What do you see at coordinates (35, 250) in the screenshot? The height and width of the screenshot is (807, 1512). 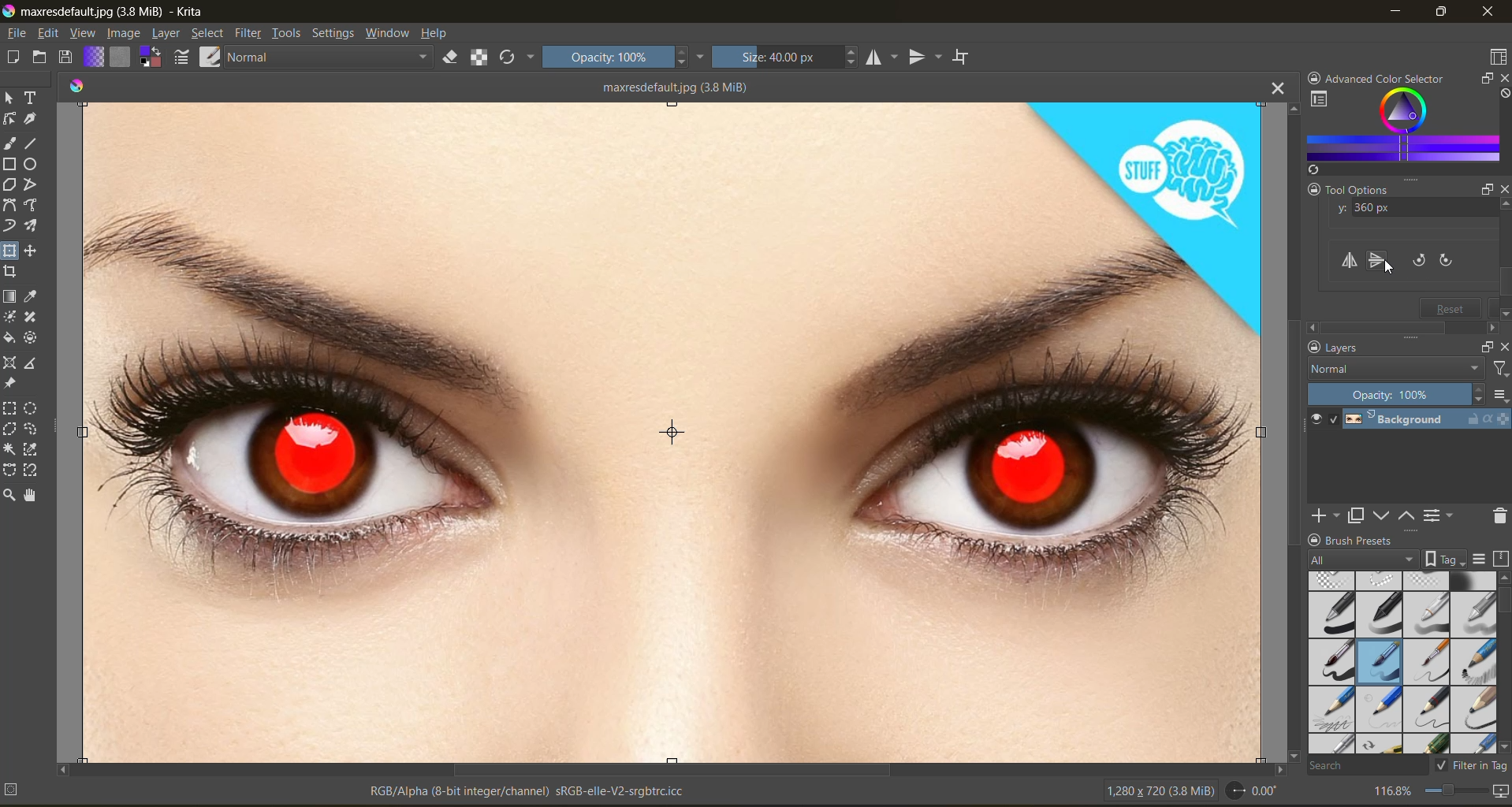 I see `tool` at bounding box center [35, 250].